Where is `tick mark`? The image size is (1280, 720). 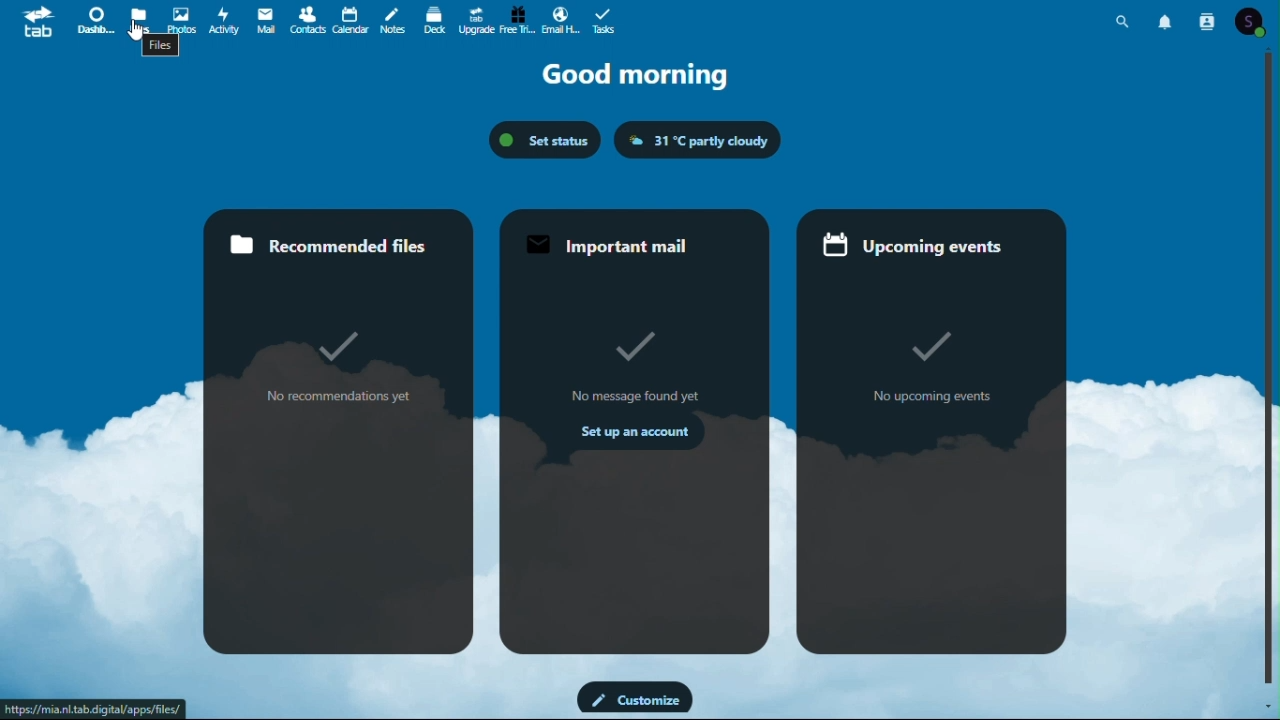
tick mark is located at coordinates (925, 347).